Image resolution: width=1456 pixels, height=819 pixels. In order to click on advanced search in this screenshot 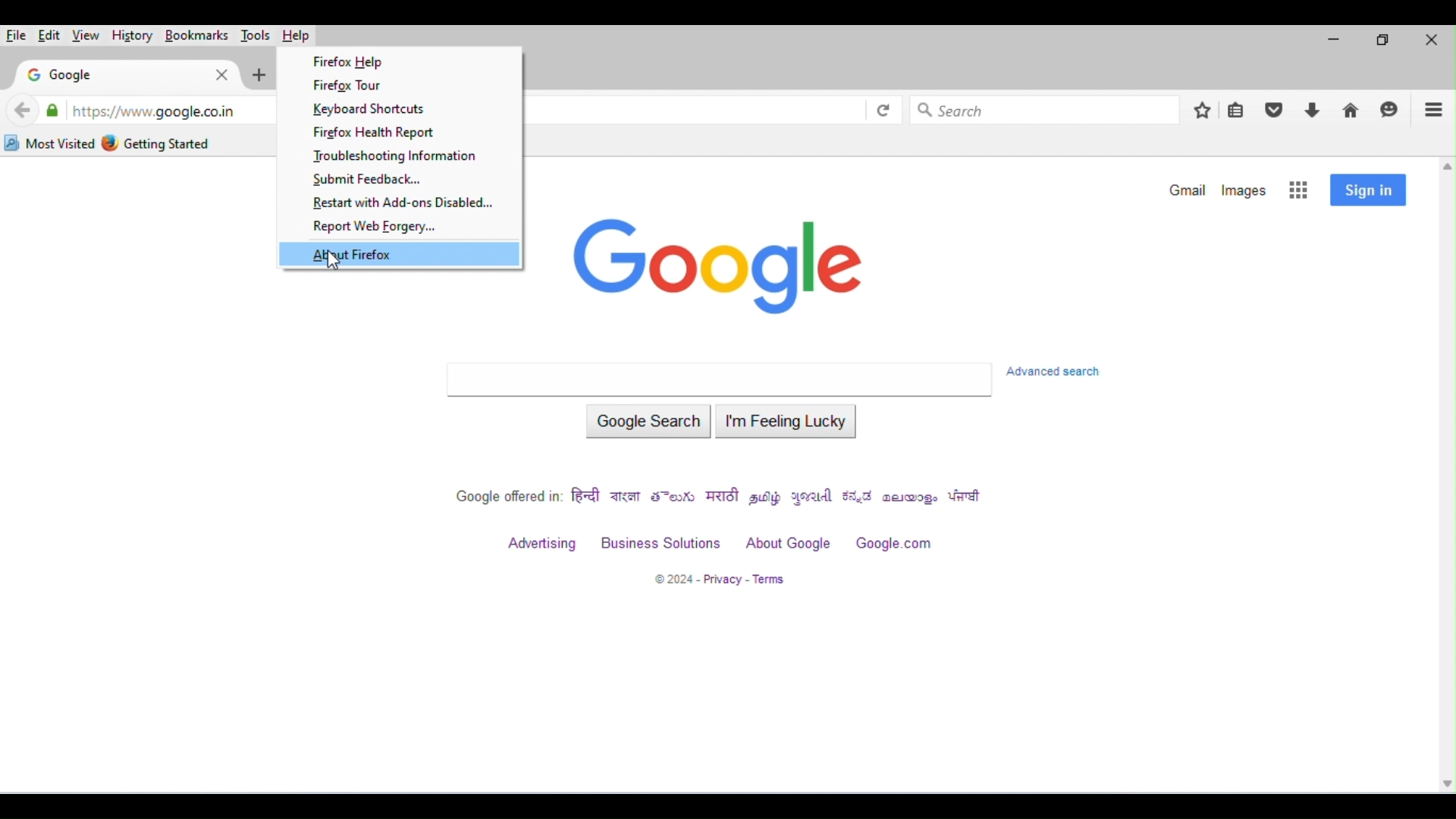, I will do `click(1060, 372)`.